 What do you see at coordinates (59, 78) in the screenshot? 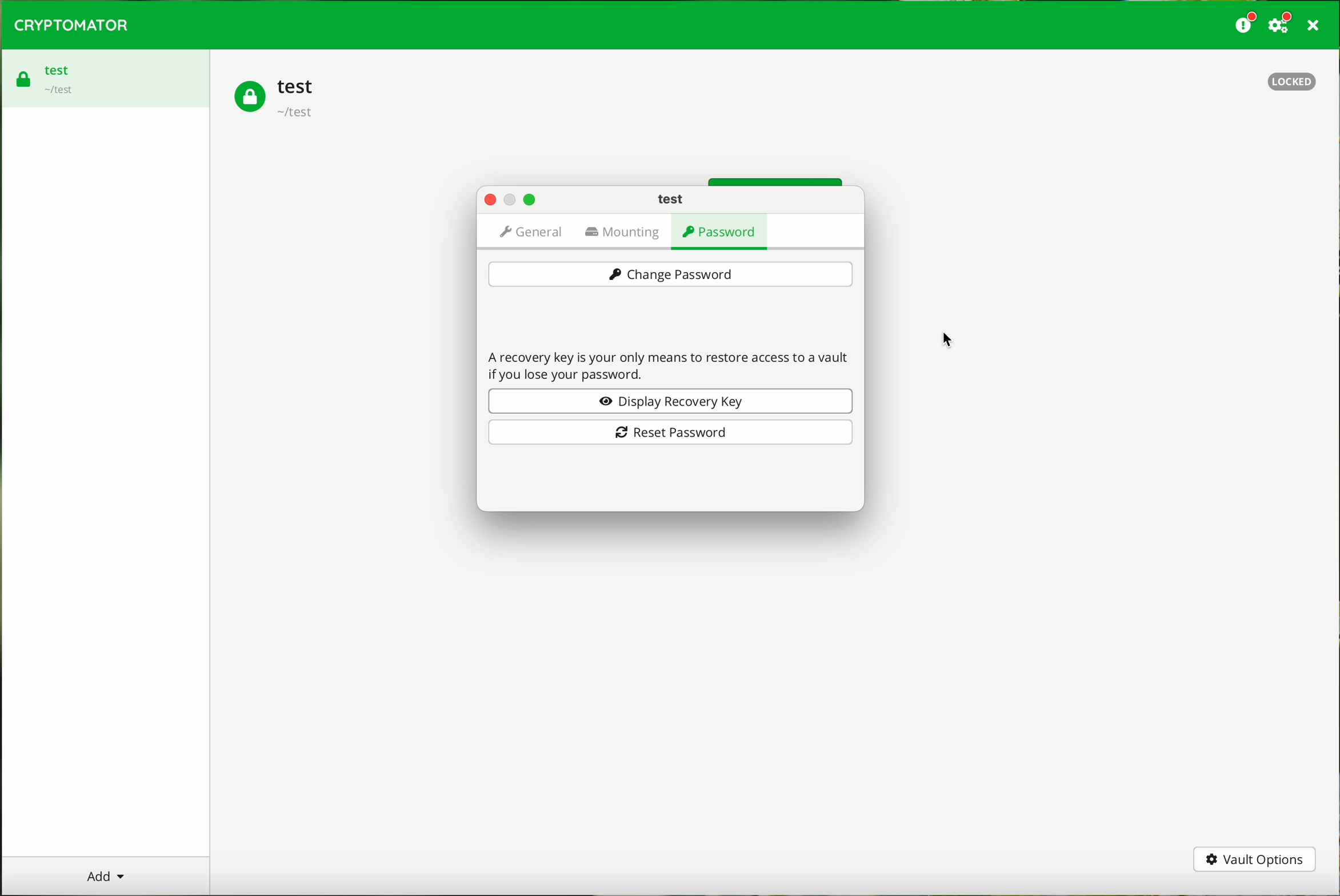
I see `test vault` at bounding box center [59, 78].